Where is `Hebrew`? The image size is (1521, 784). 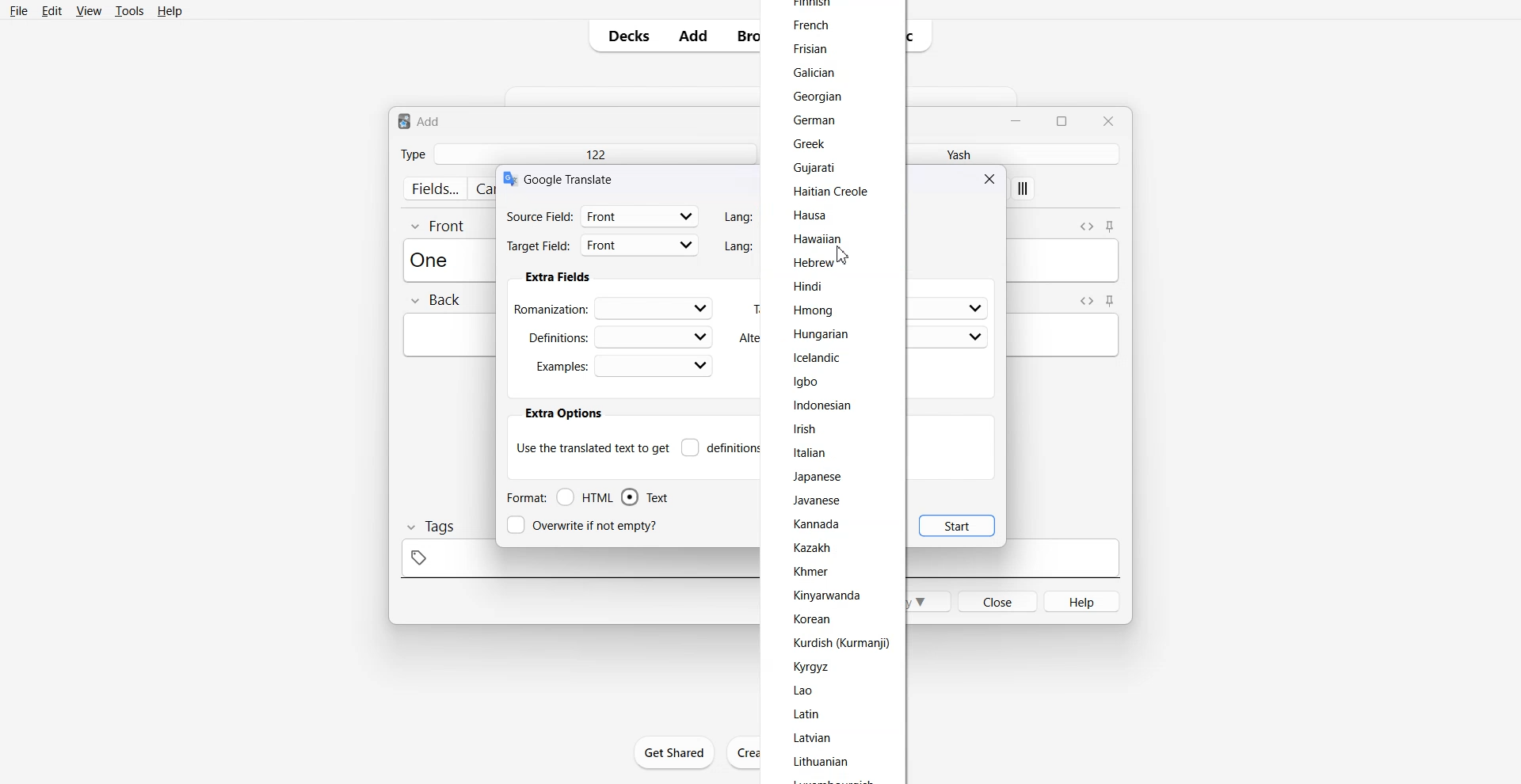 Hebrew is located at coordinates (813, 264).